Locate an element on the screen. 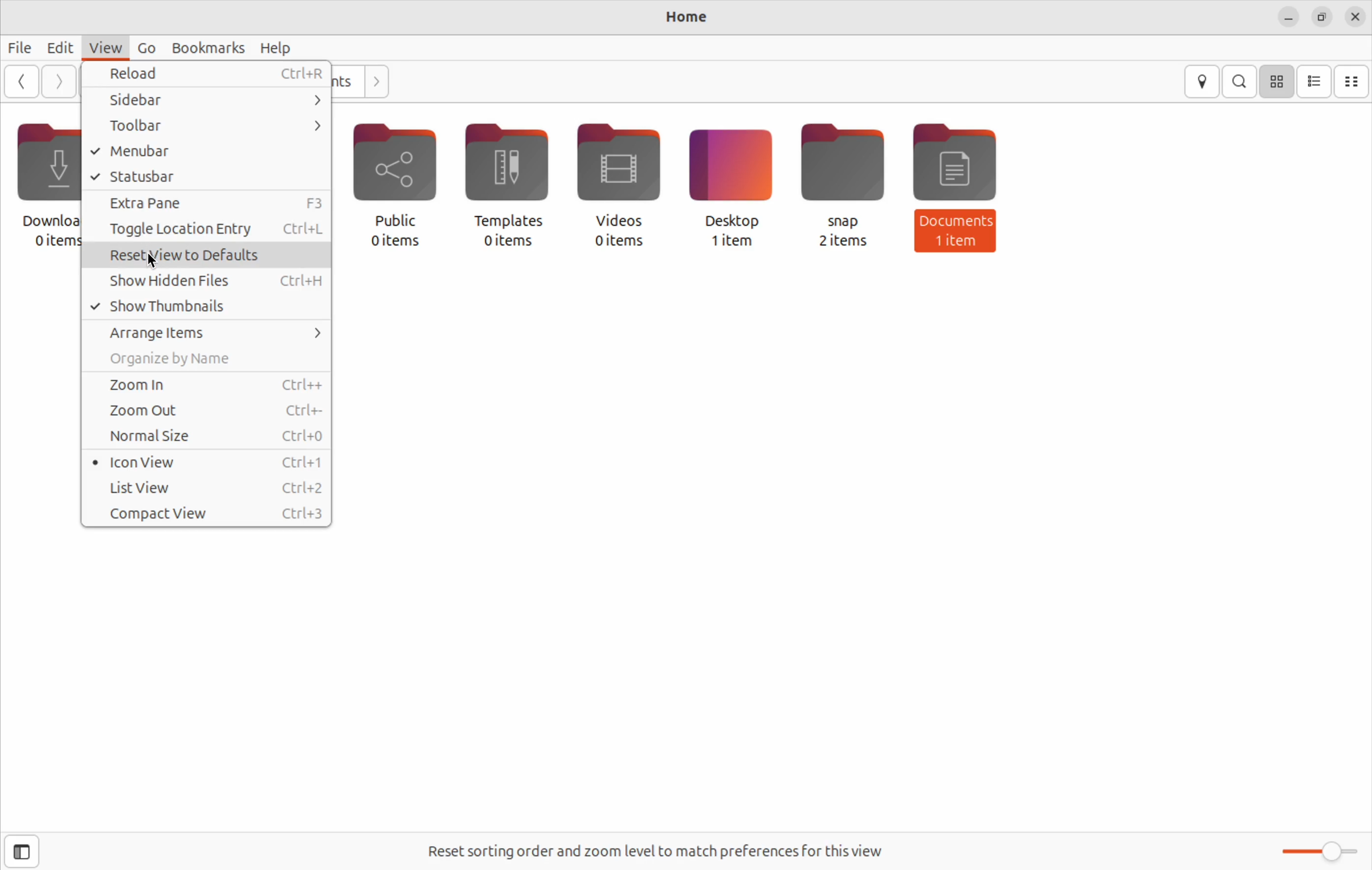 This screenshot has width=1372, height=870. view is located at coordinates (108, 44).